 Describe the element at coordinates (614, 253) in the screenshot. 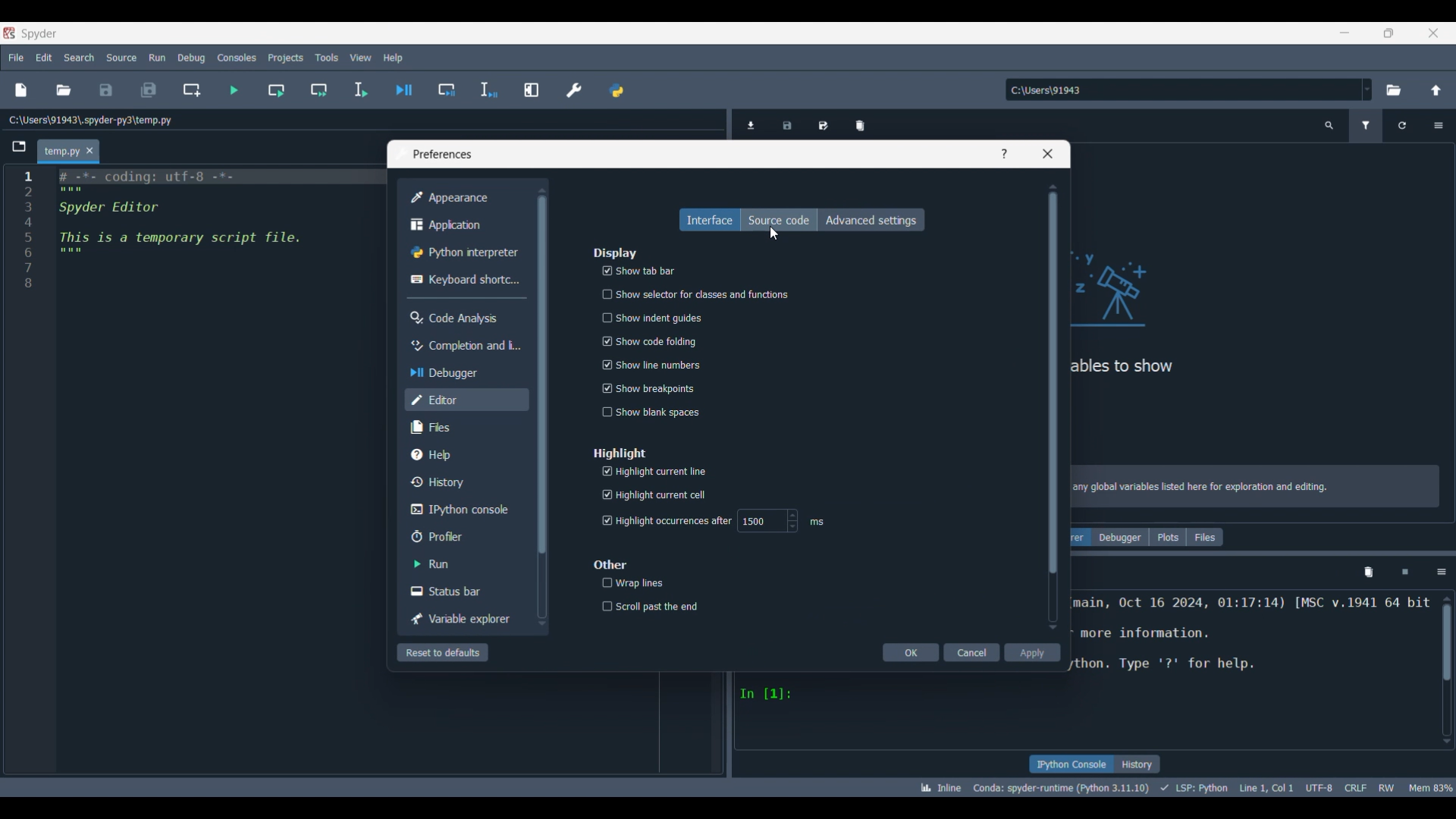

I see `Section title` at that location.